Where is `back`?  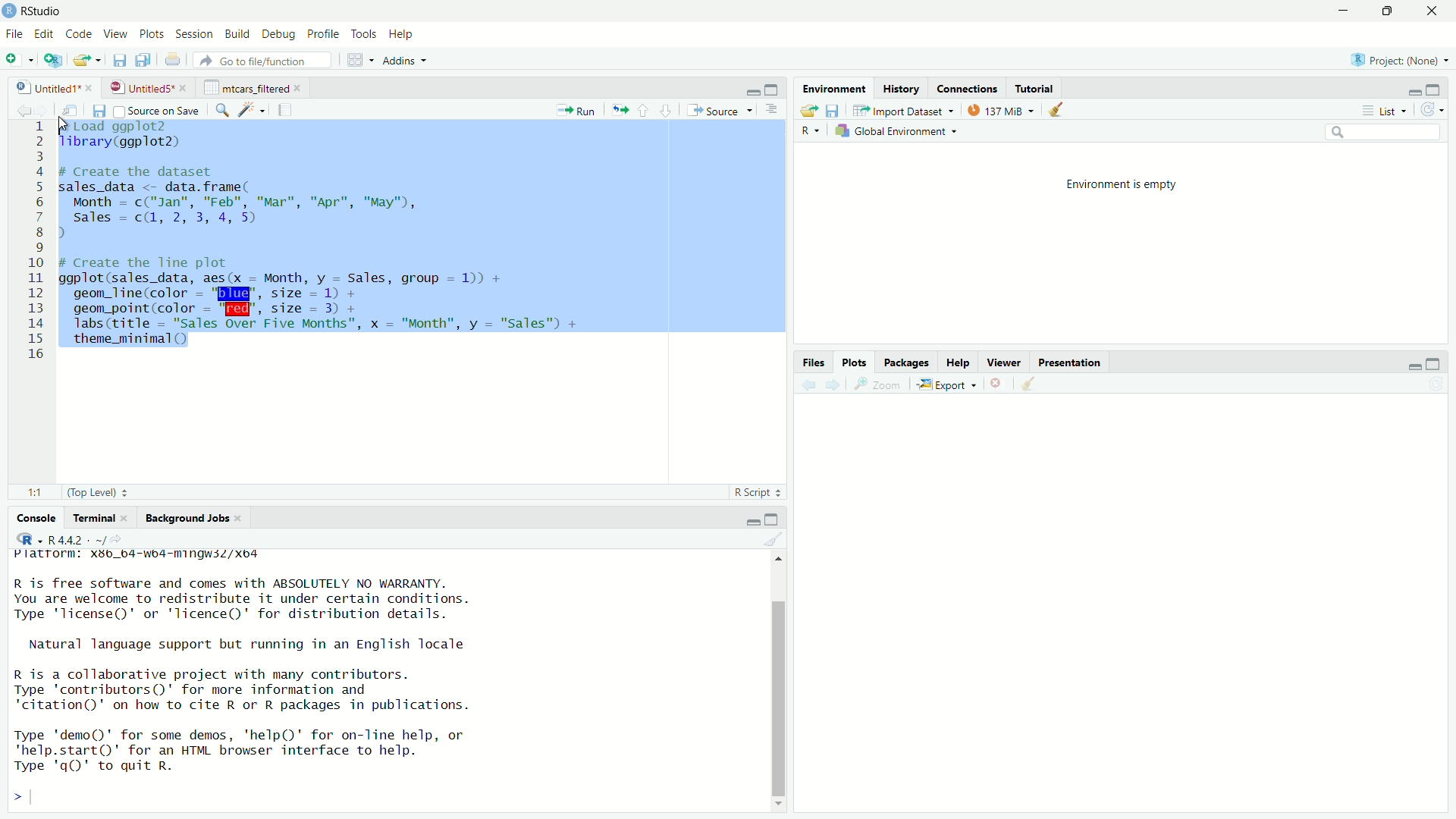
back is located at coordinates (811, 385).